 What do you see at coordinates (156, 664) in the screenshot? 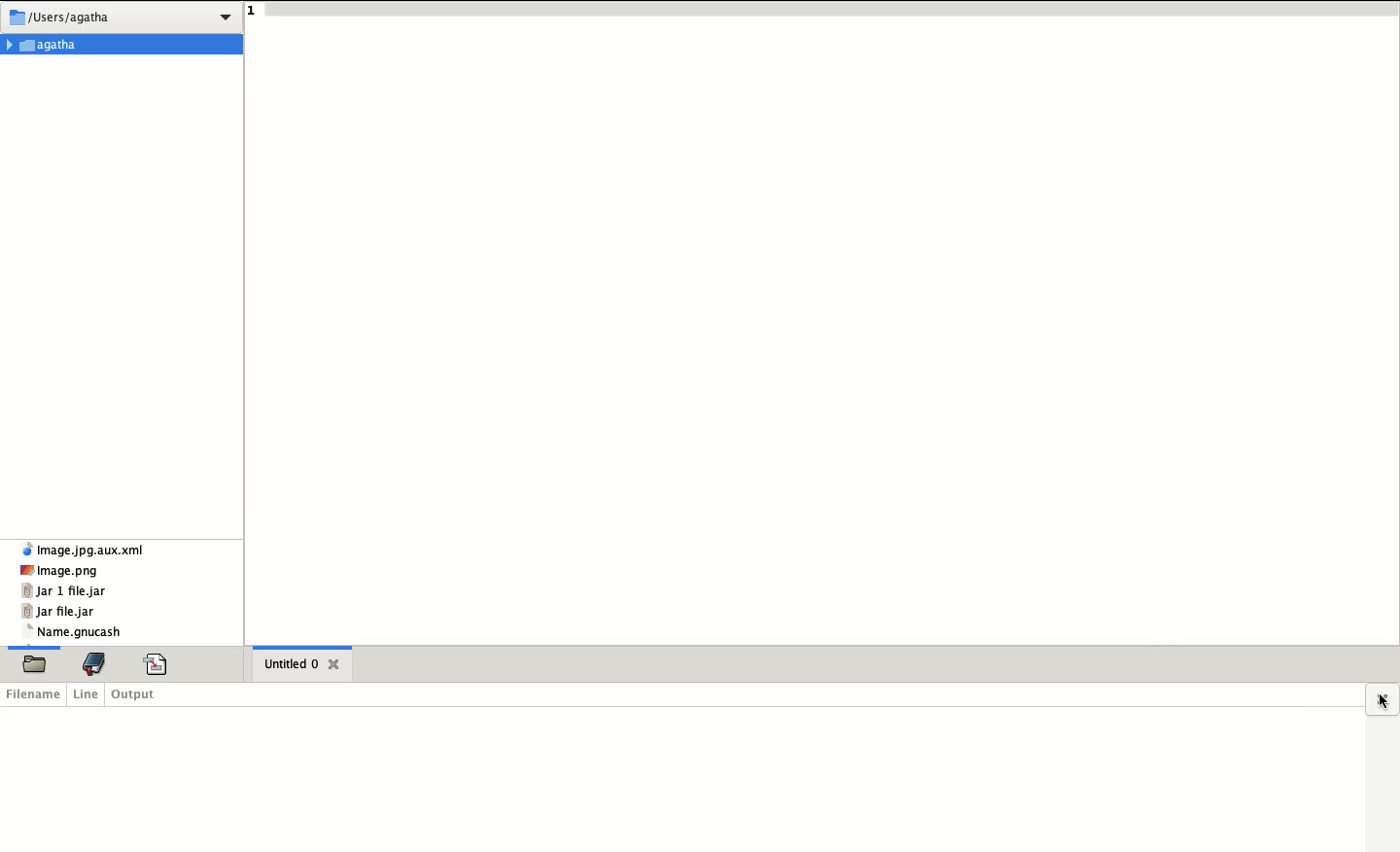
I see `code` at bounding box center [156, 664].